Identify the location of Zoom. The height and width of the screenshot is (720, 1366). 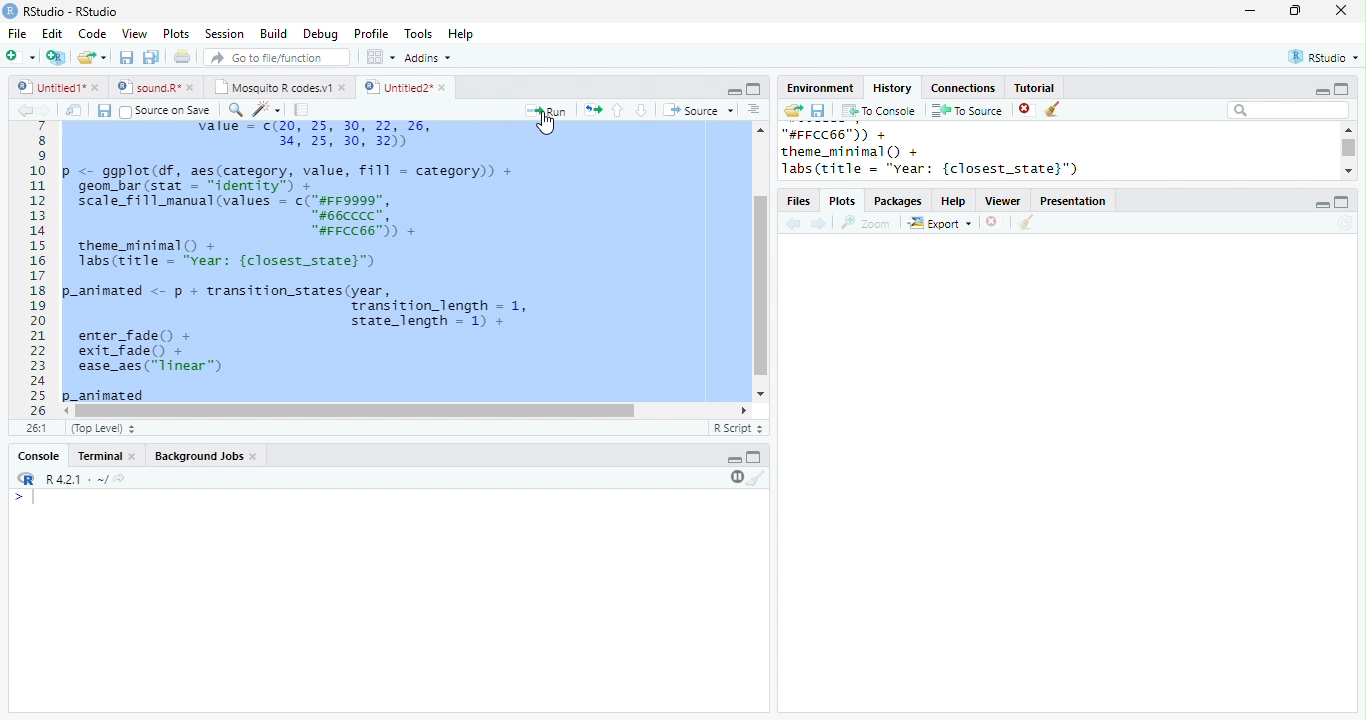
(866, 223).